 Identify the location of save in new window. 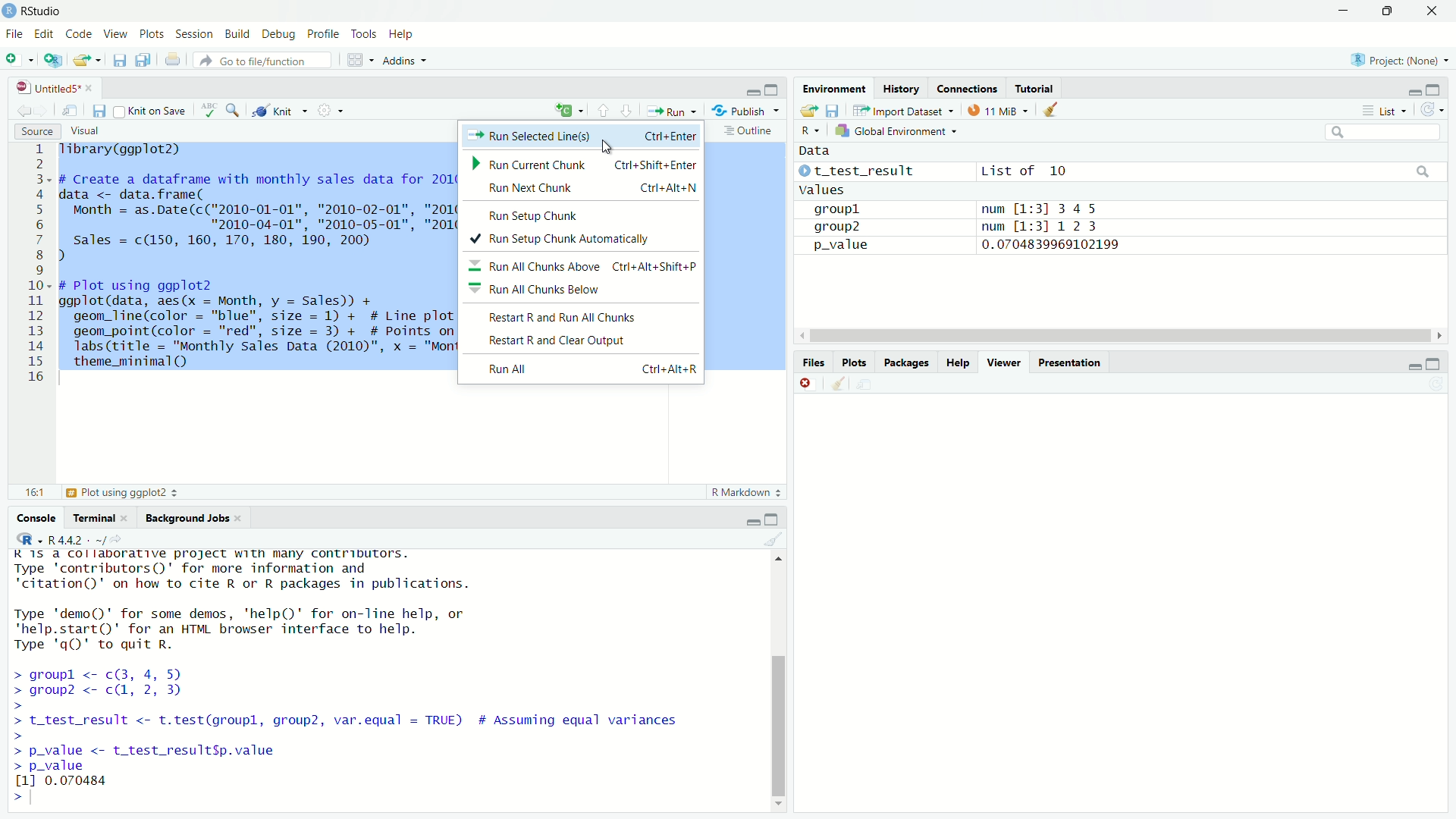
(71, 108).